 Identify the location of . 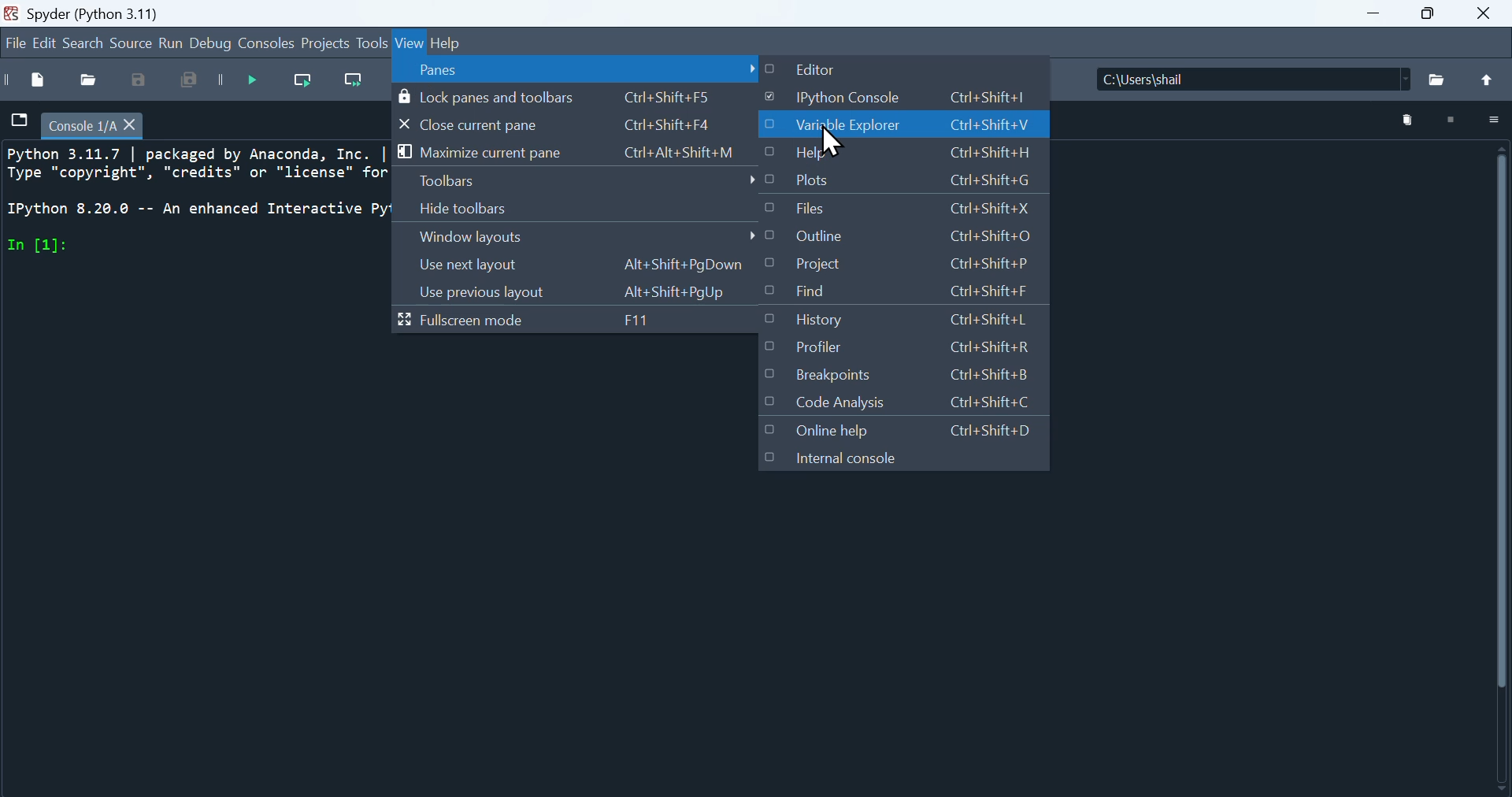
(452, 39).